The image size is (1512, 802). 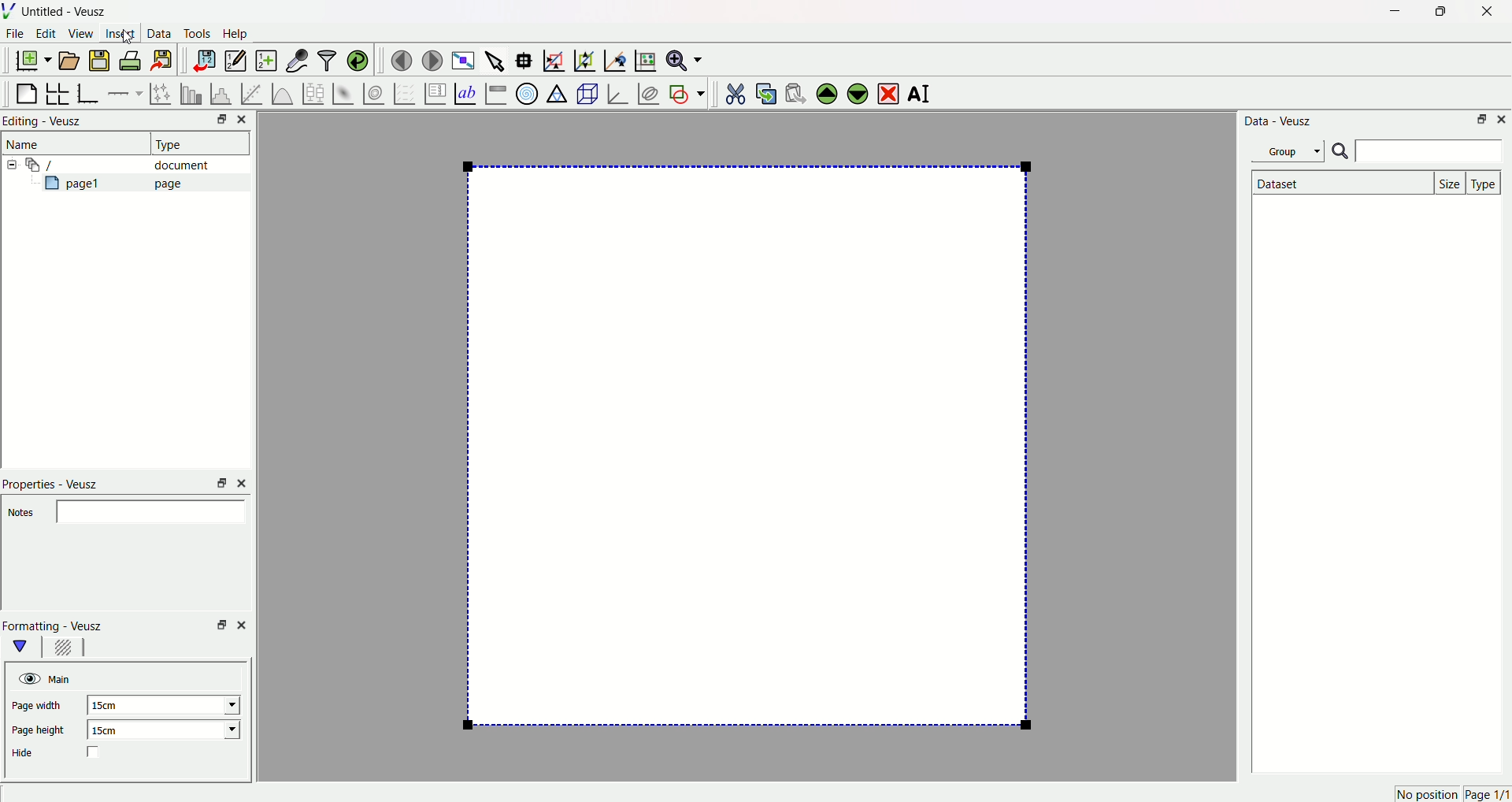 I want to click on reset the graph axes, so click(x=643, y=58).